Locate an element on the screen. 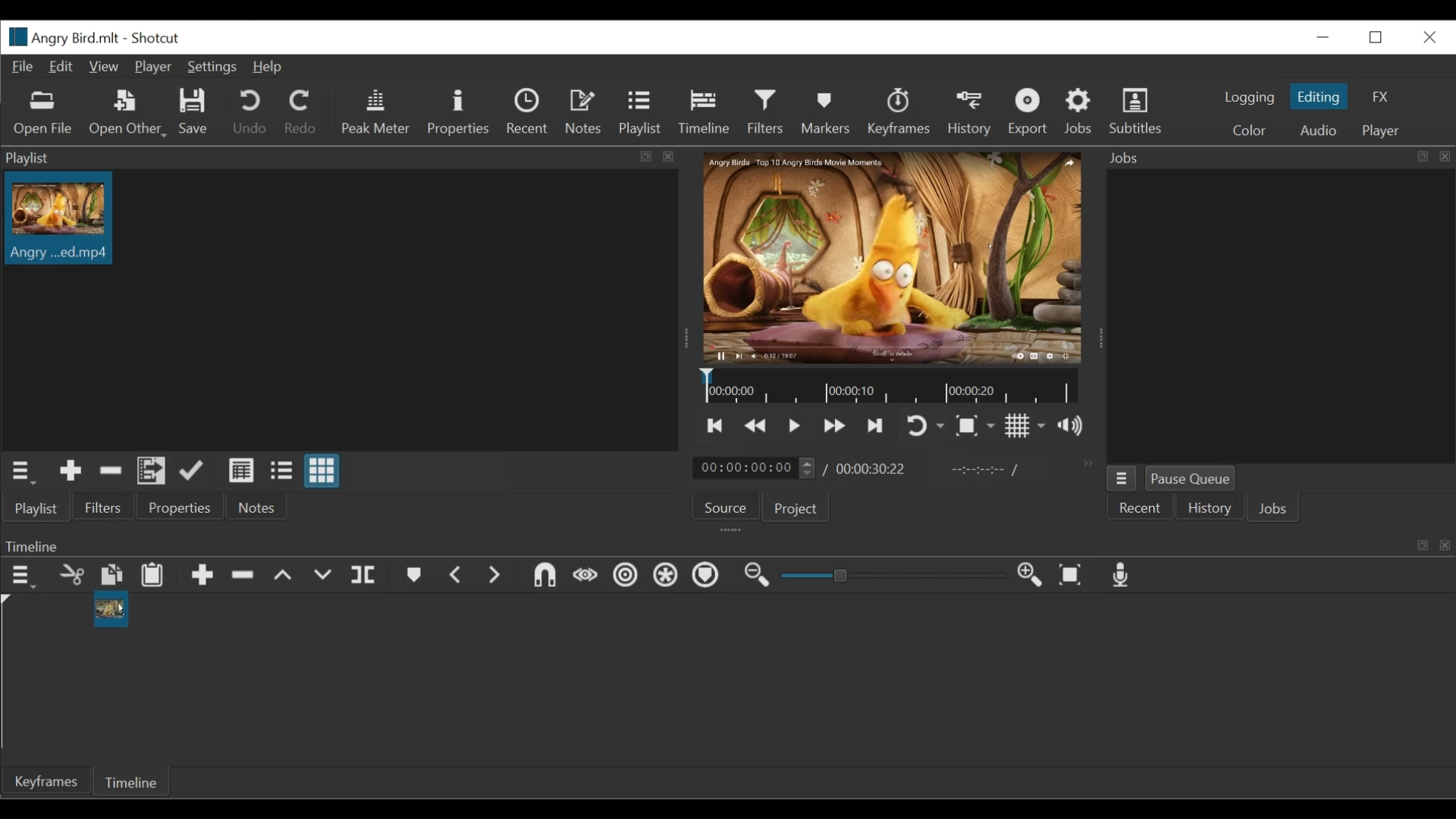 This screenshot has height=819, width=1456. Color is located at coordinates (1248, 130).